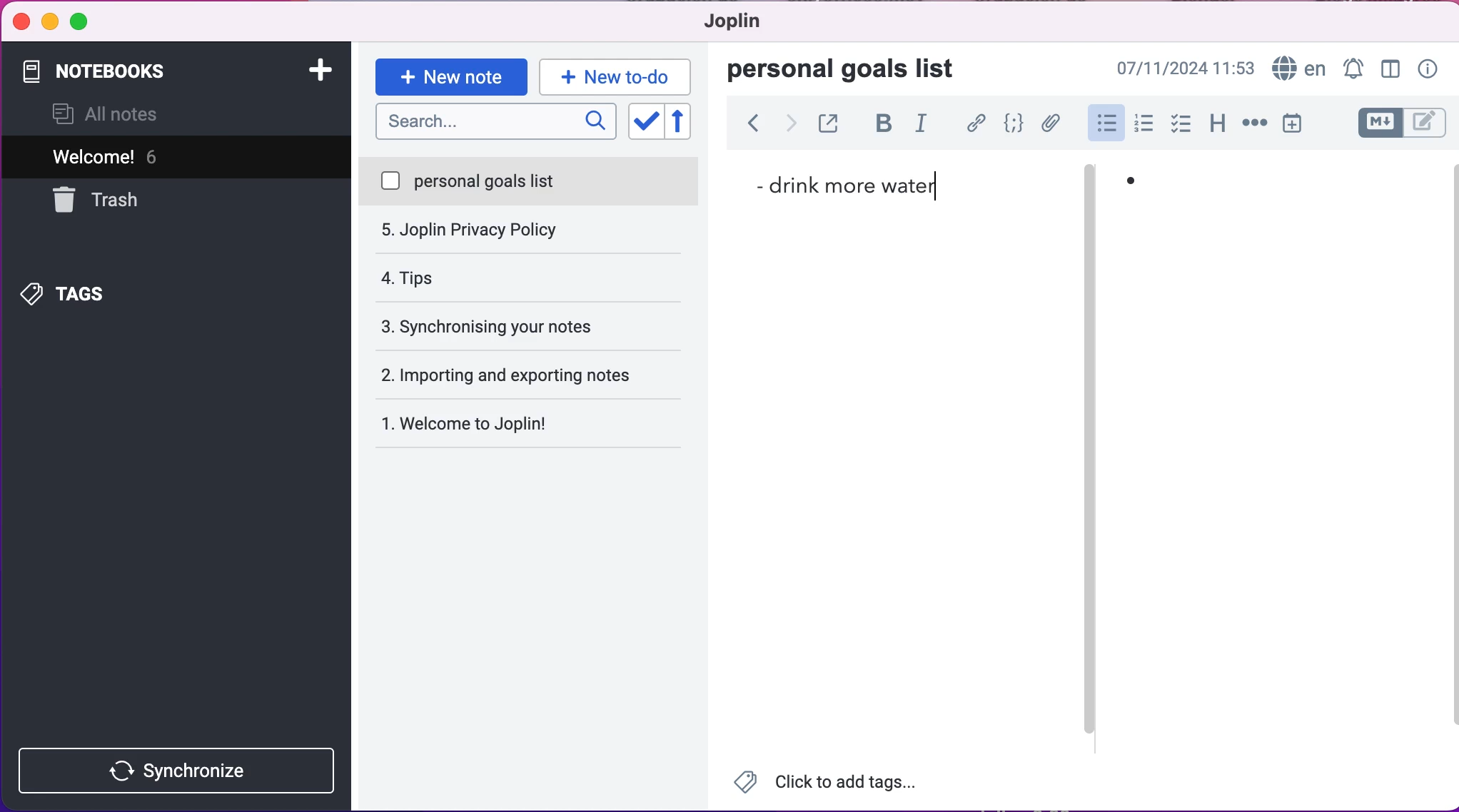 The width and height of the screenshot is (1459, 812). Describe the element at coordinates (1144, 126) in the screenshot. I see `numbered lists` at that location.